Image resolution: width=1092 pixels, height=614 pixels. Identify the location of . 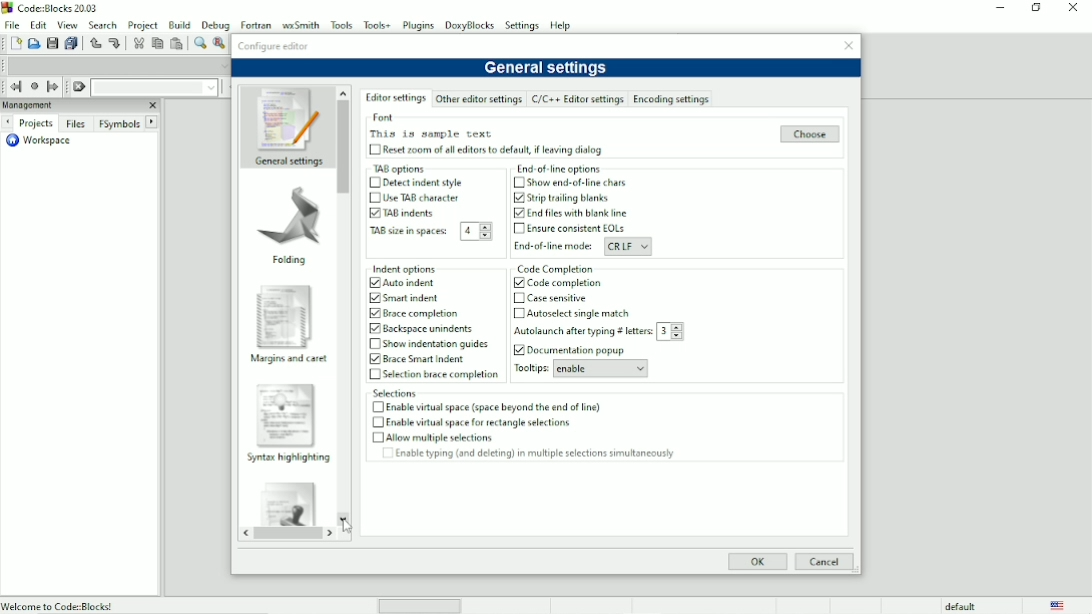
(374, 328).